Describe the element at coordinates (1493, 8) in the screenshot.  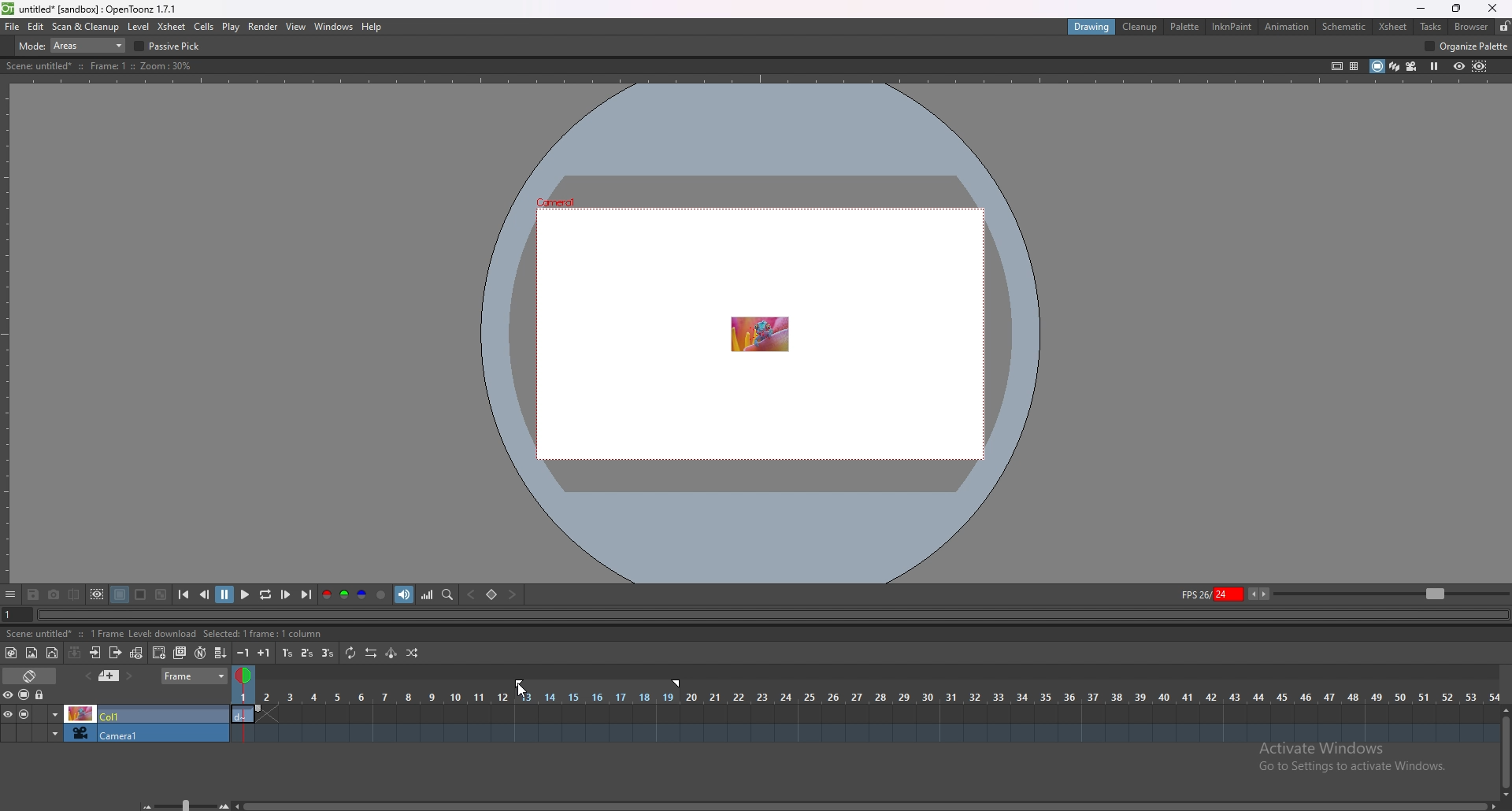
I see `close` at that location.